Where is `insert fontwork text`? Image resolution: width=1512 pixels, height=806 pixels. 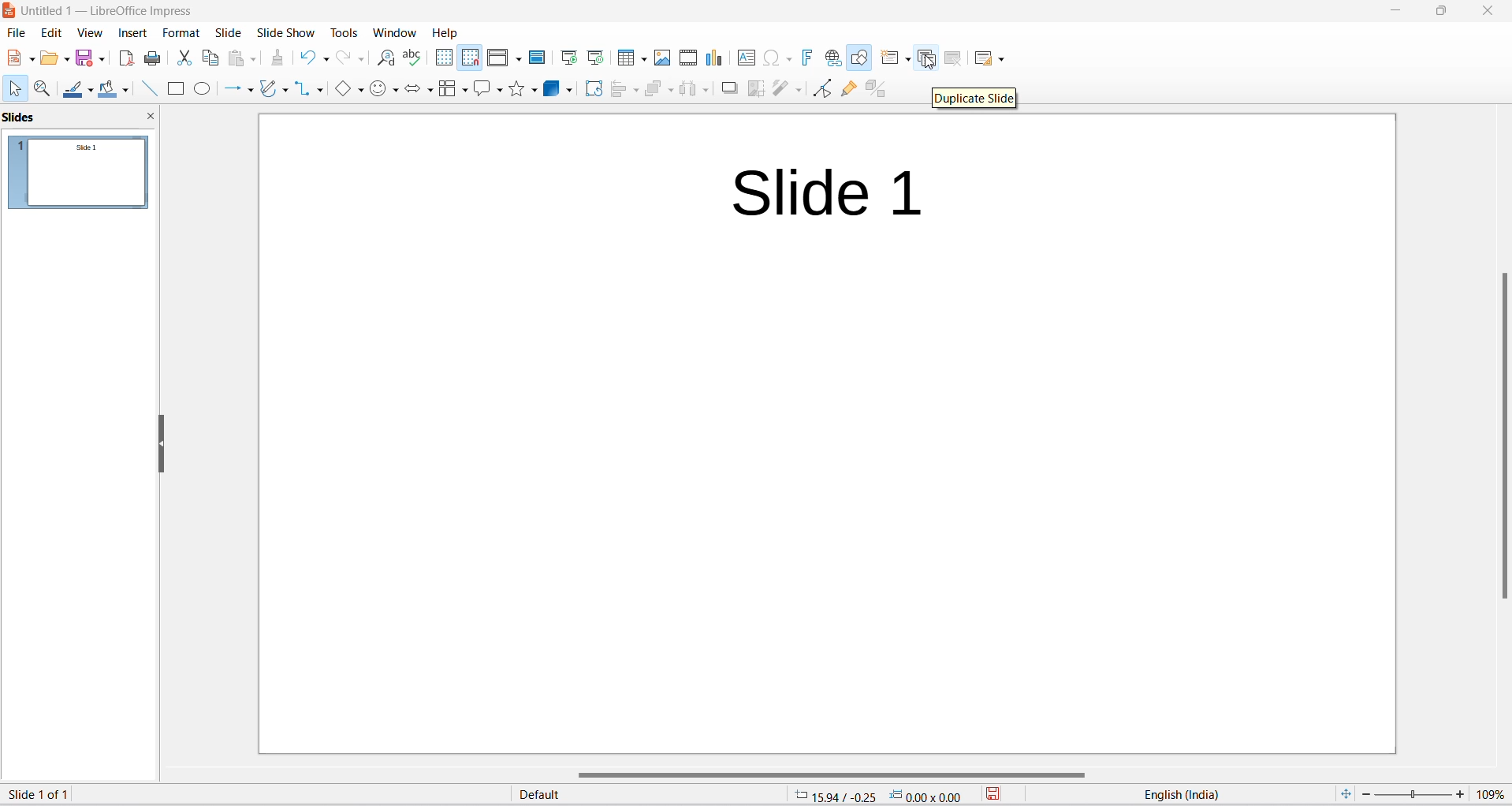 insert fontwork text is located at coordinates (806, 56).